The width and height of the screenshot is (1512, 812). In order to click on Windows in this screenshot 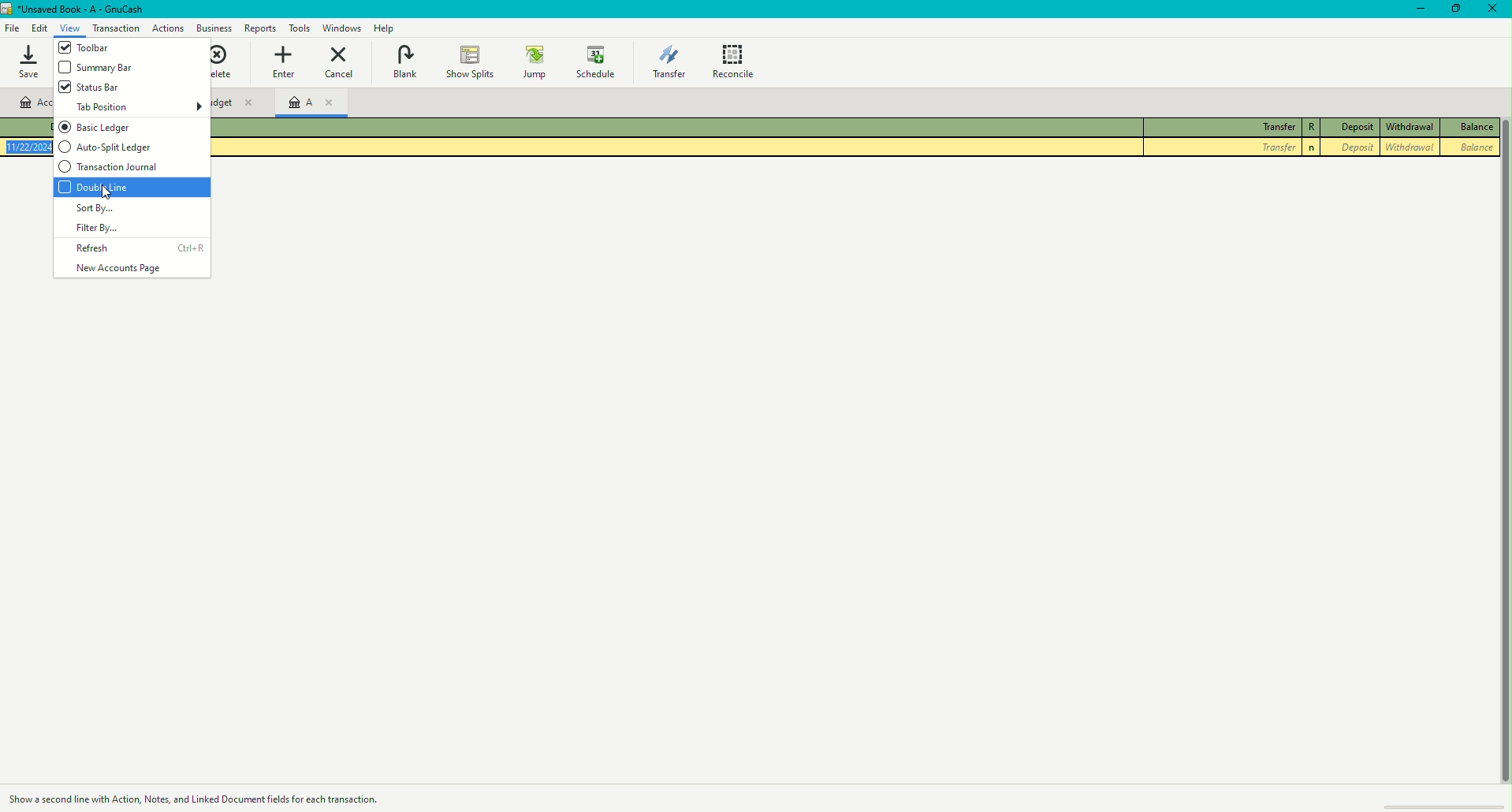, I will do `click(342, 28)`.